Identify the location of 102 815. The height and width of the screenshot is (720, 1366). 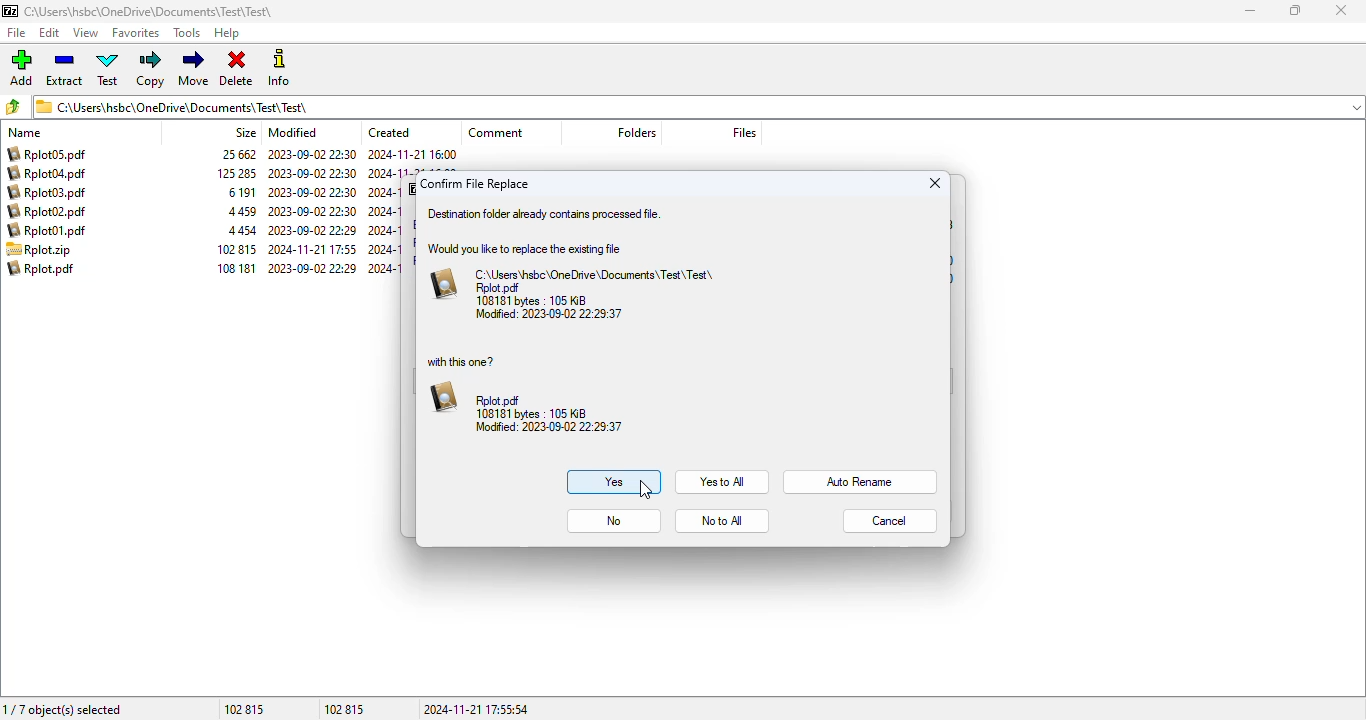
(237, 250).